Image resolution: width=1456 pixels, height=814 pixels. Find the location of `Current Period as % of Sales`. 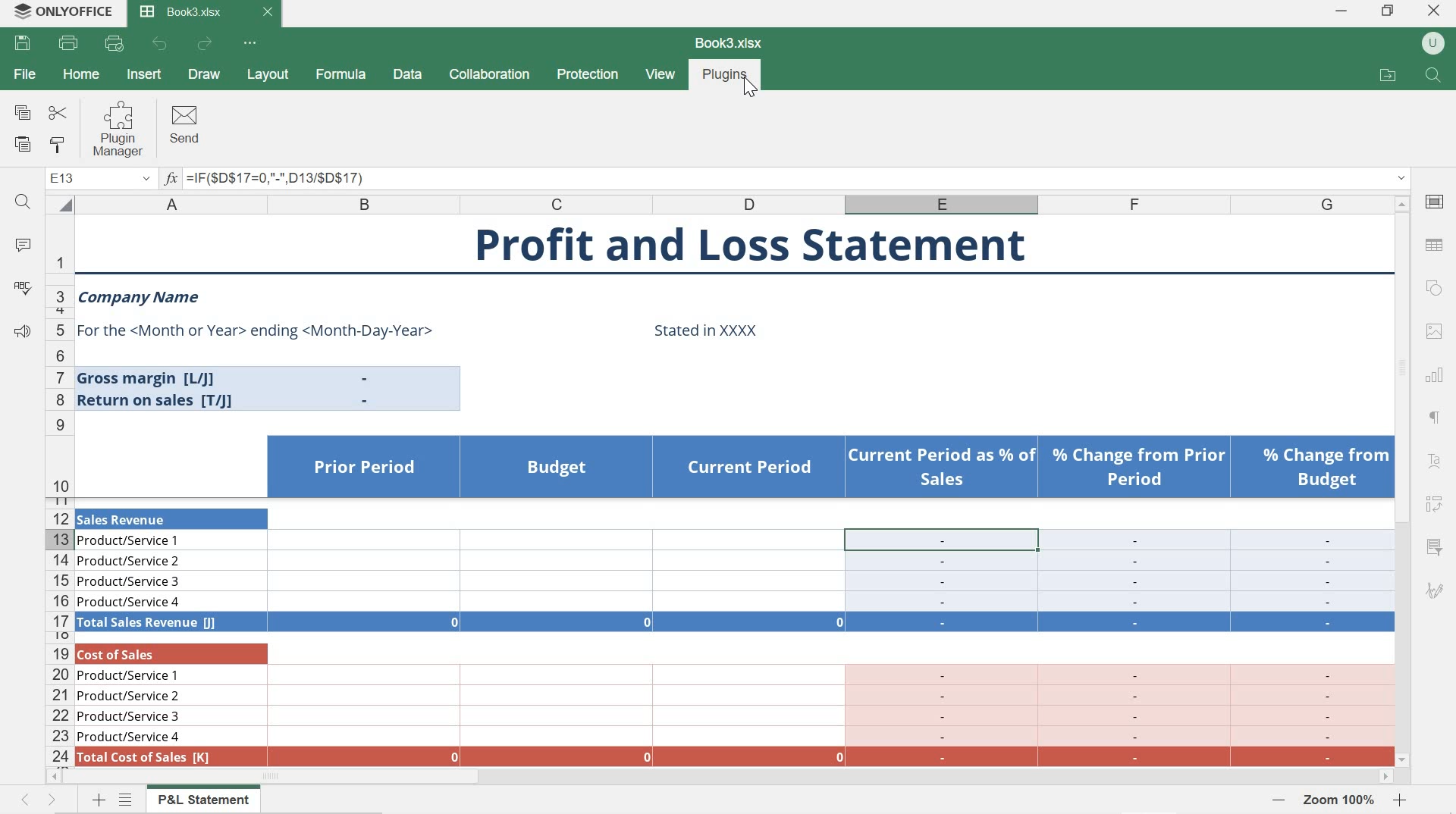

Current Period as % of Sales is located at coordinates (942, 468).